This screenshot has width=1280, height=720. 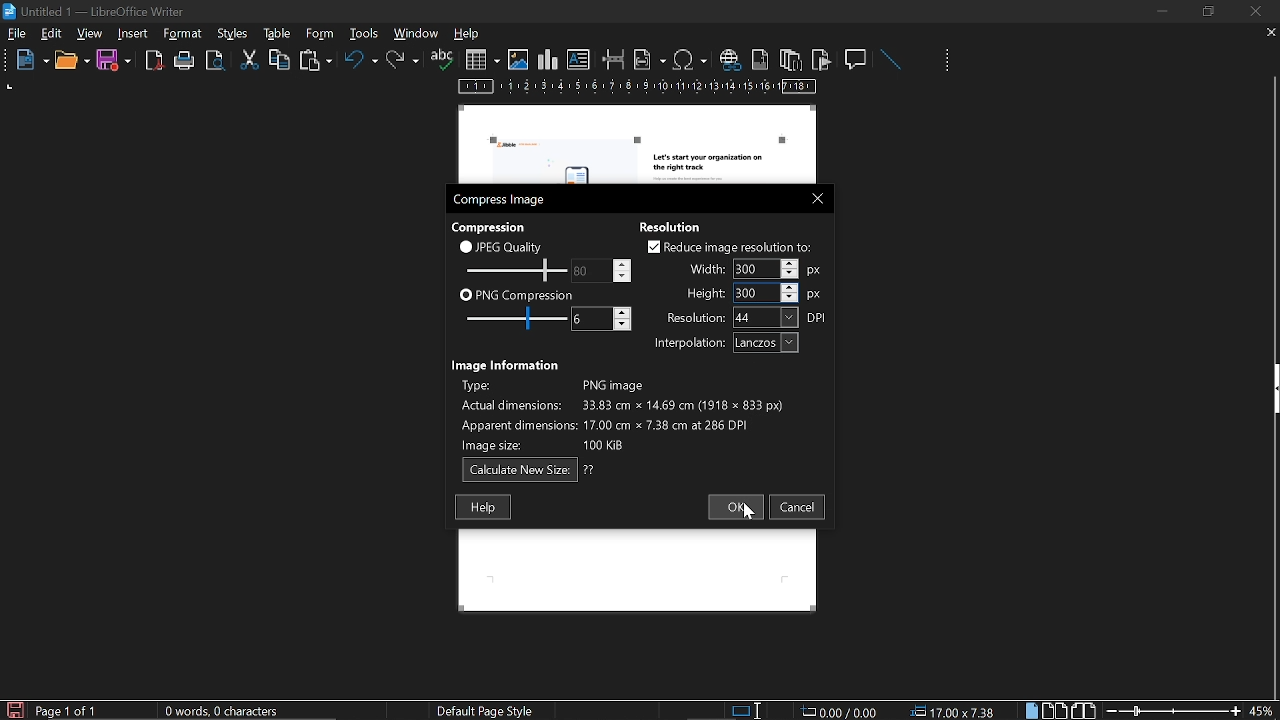 What do you see at coordinates (790, 59) in the screenshot?
I see `insert endnote` at bounding box center [790, 59].